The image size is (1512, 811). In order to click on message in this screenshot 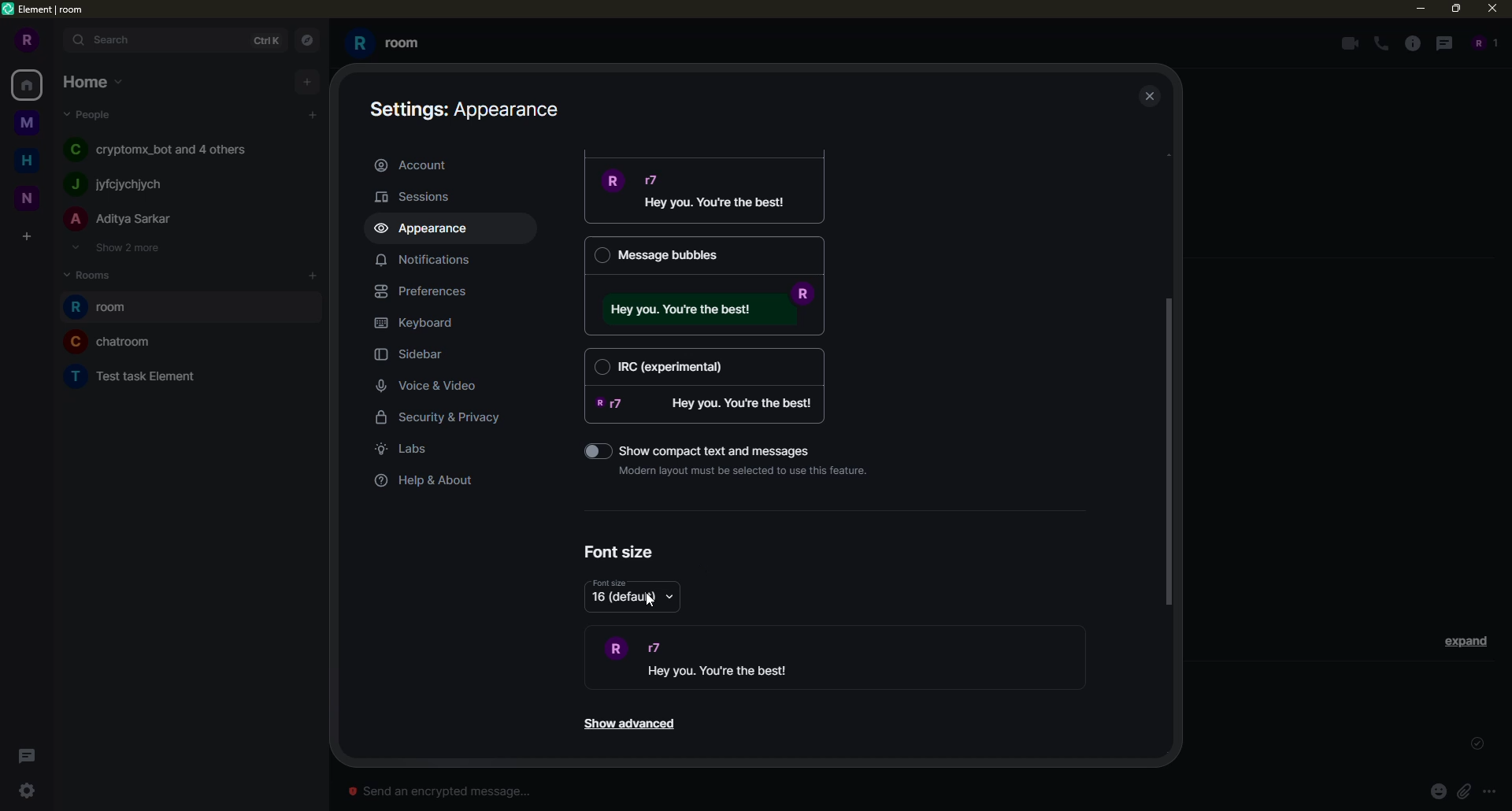, I will do `click(710, 309)`.